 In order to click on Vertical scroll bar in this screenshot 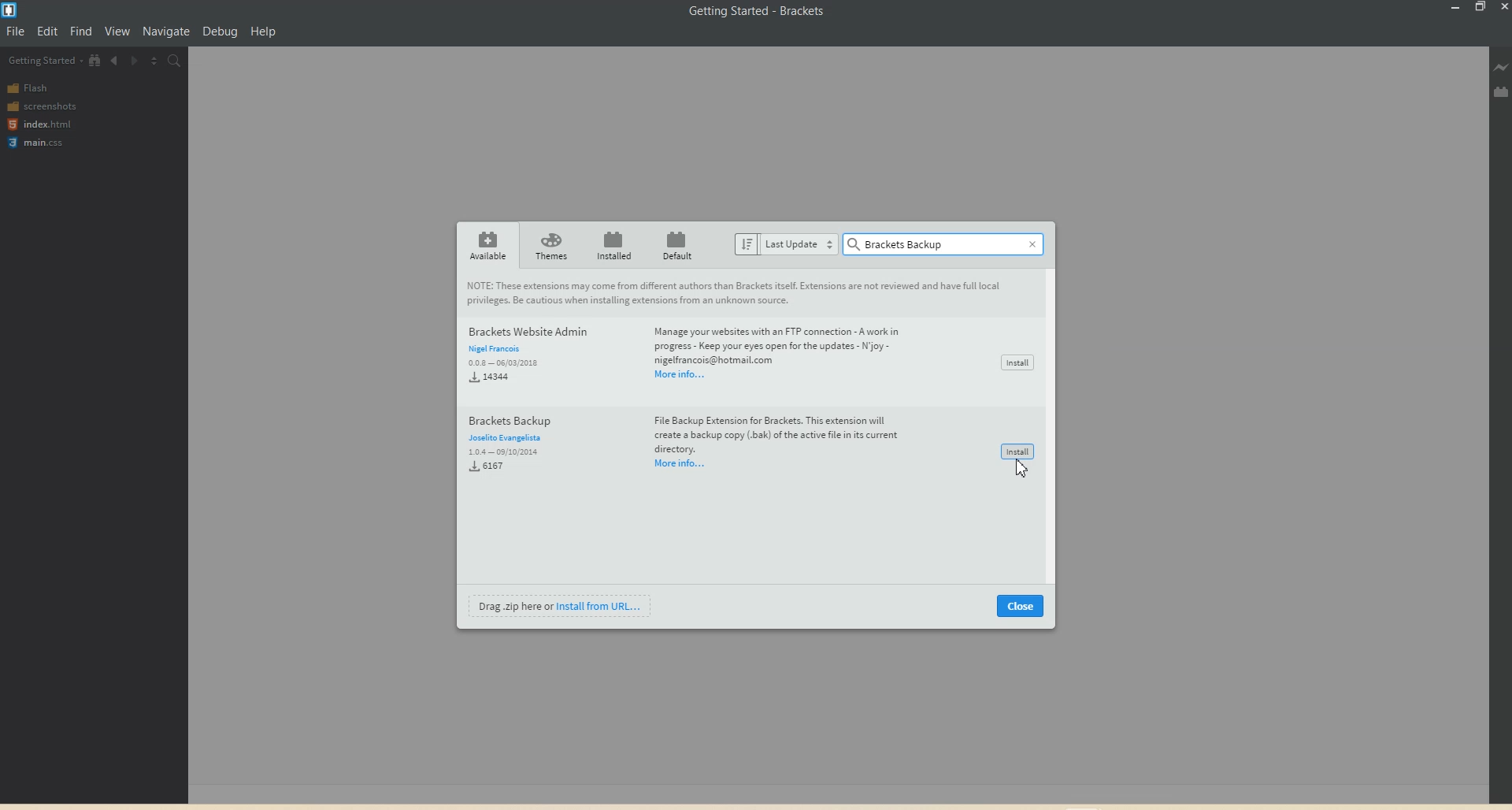, I will do `click(1054, 427)`.